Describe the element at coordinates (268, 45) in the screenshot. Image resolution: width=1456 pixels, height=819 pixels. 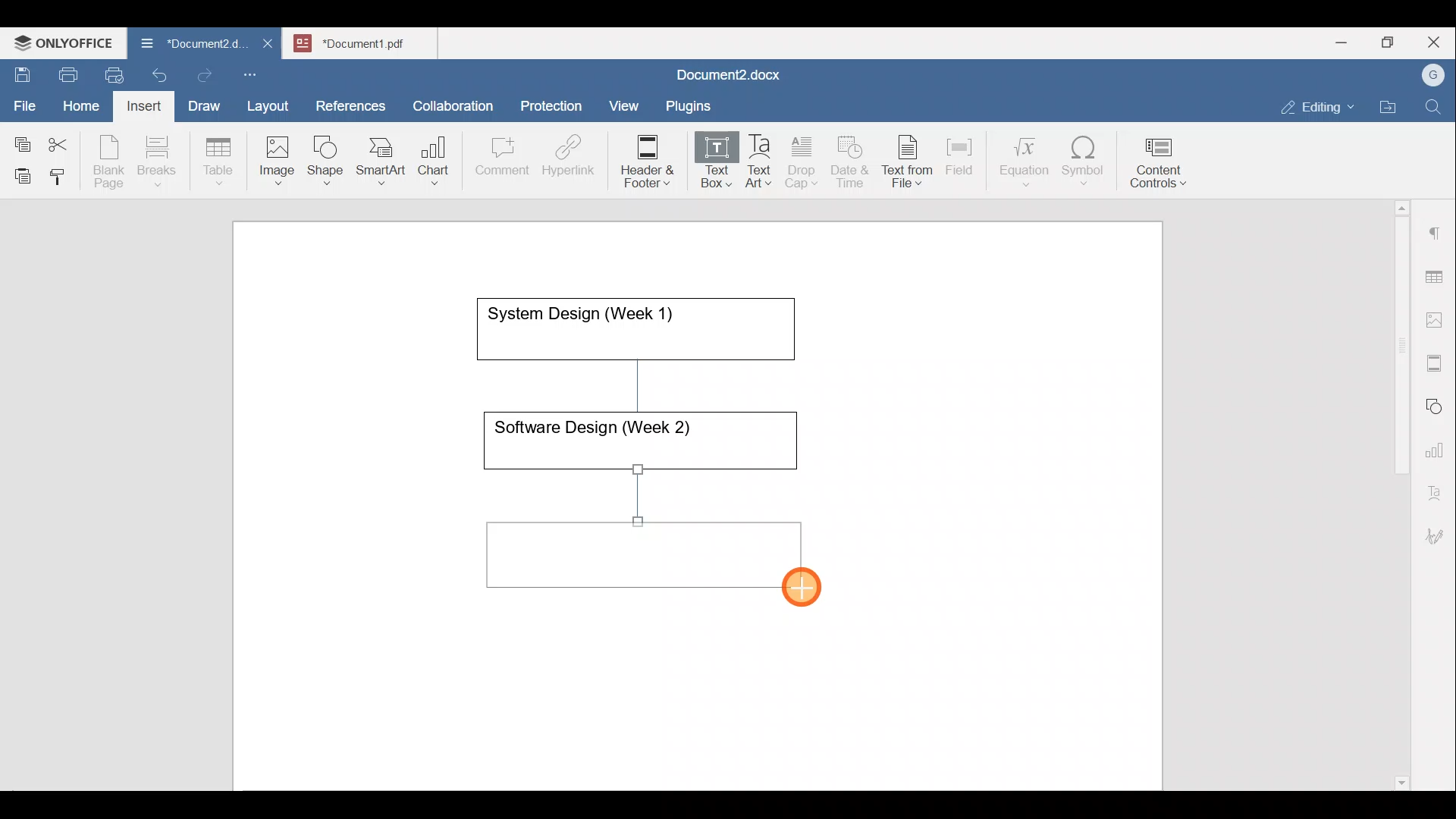
I see `Close document` at that location.